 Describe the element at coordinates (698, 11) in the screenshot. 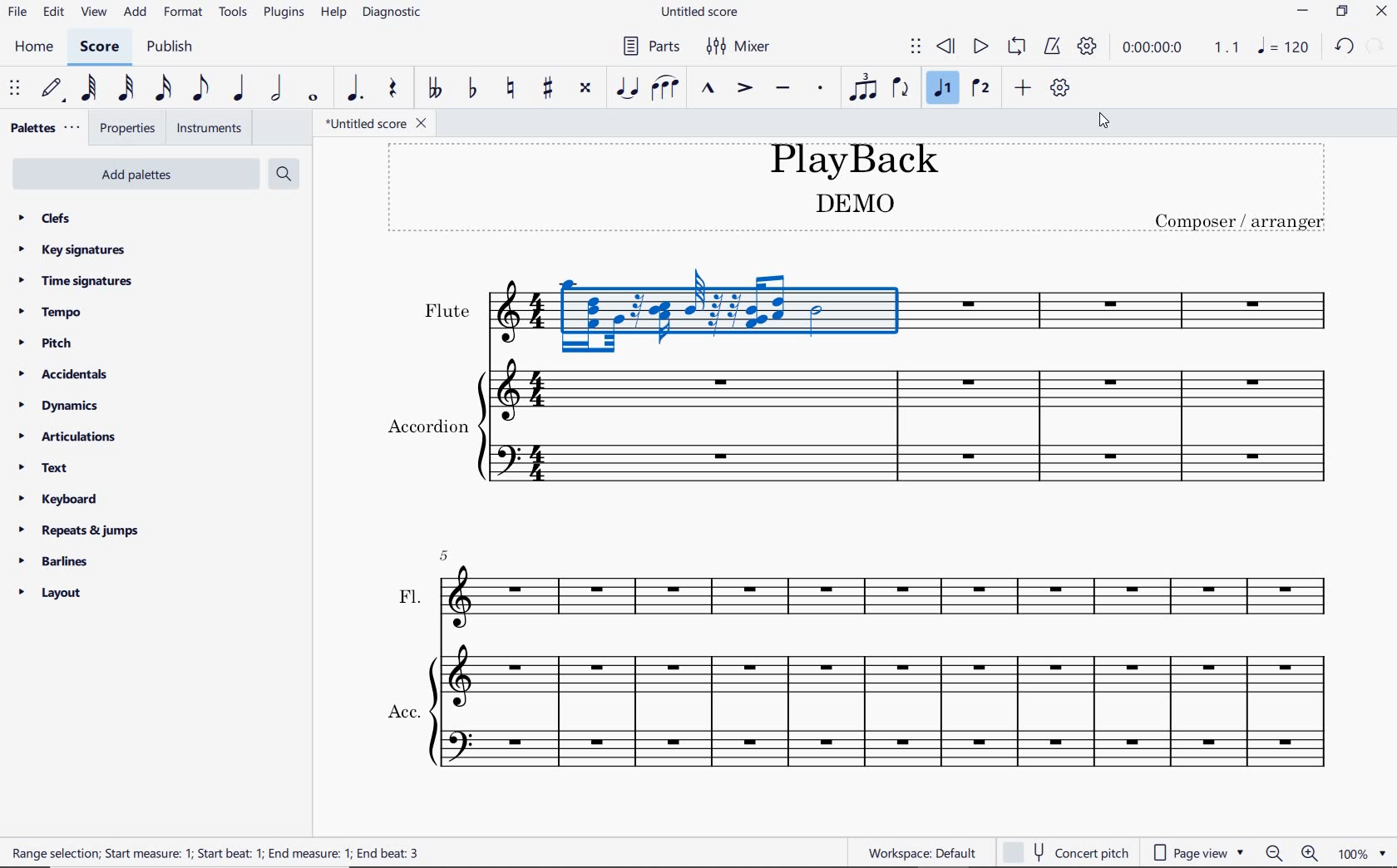

I see `file name` at that location.